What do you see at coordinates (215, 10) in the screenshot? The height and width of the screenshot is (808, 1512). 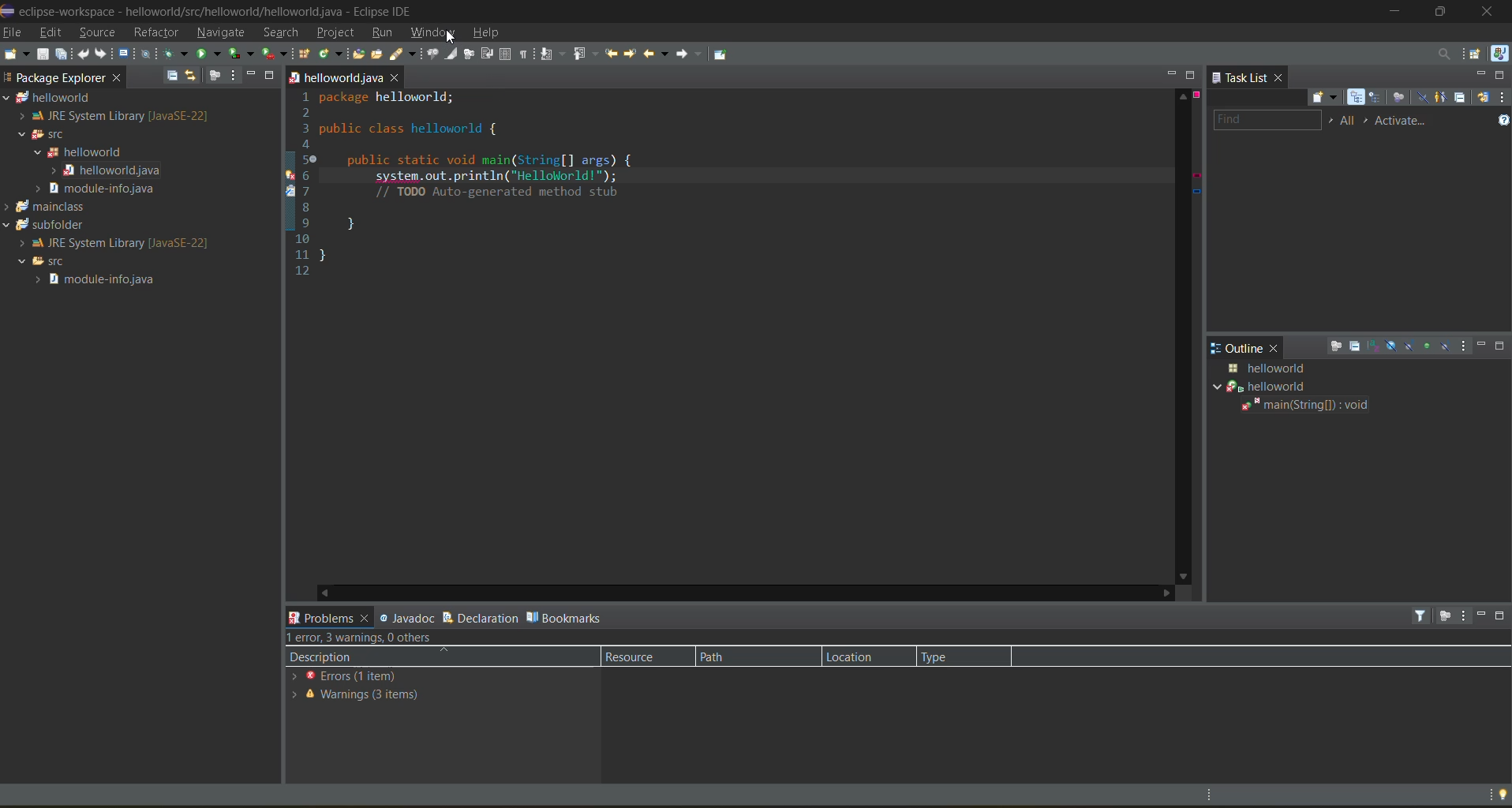 I see `me eclipse-workspace - helloworld/src/helloworlid/helloworld.java - Eclipse IDE` at bounding box center [215, 10].